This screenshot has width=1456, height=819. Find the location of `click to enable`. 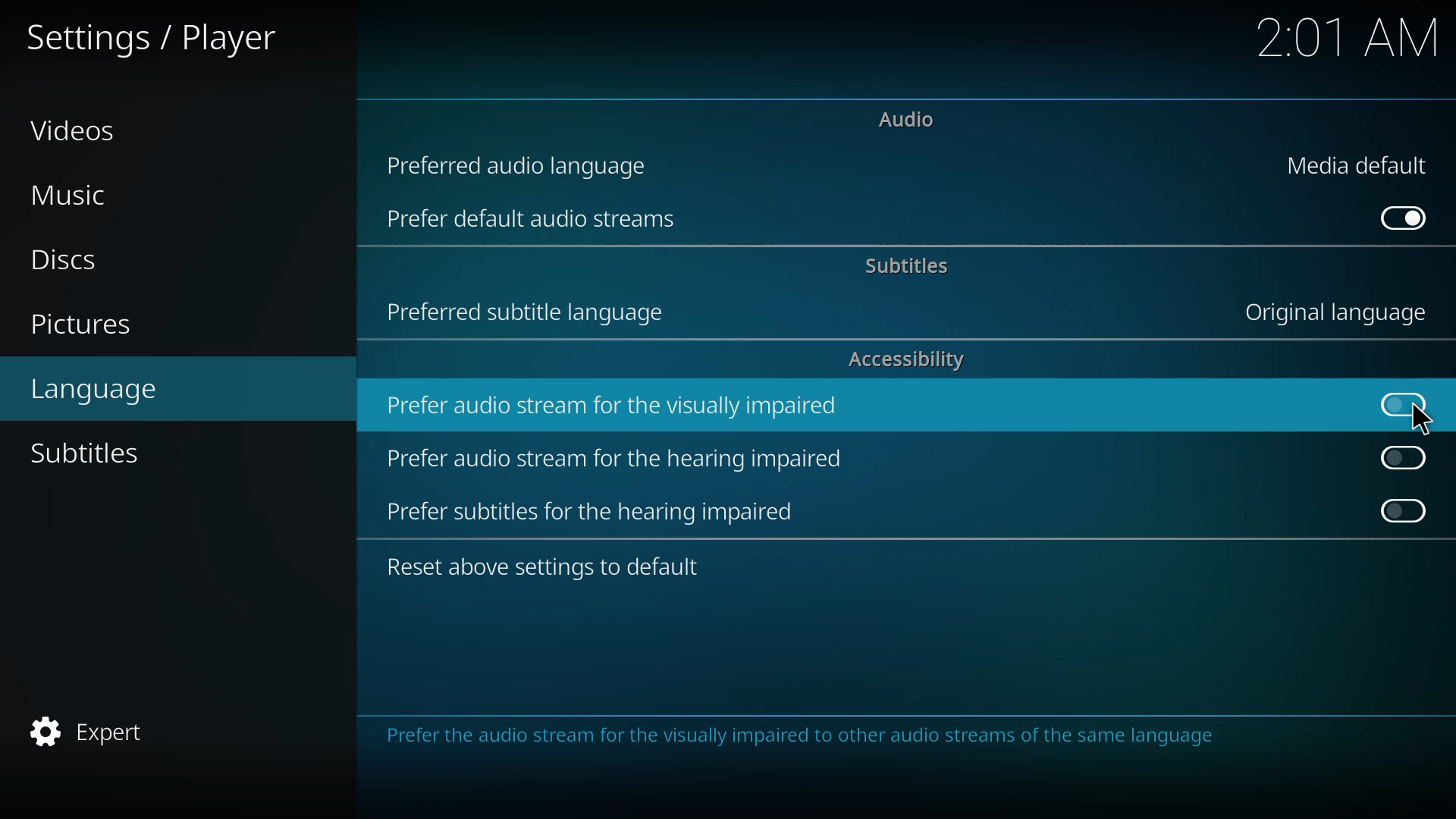

click to enable is located at coordinates (1398, 511).